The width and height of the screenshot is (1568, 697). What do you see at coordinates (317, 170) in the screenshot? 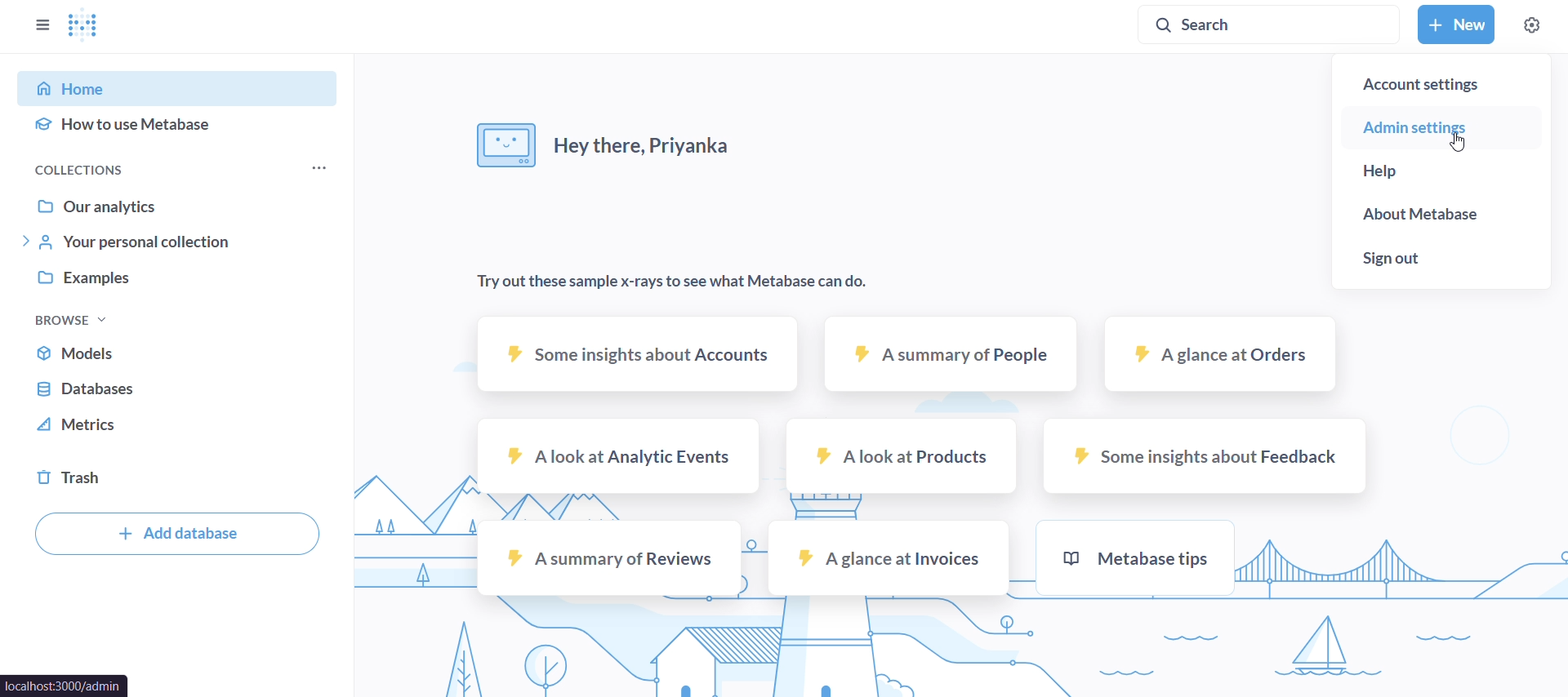
I see `more` at bounding box center [317, 170].